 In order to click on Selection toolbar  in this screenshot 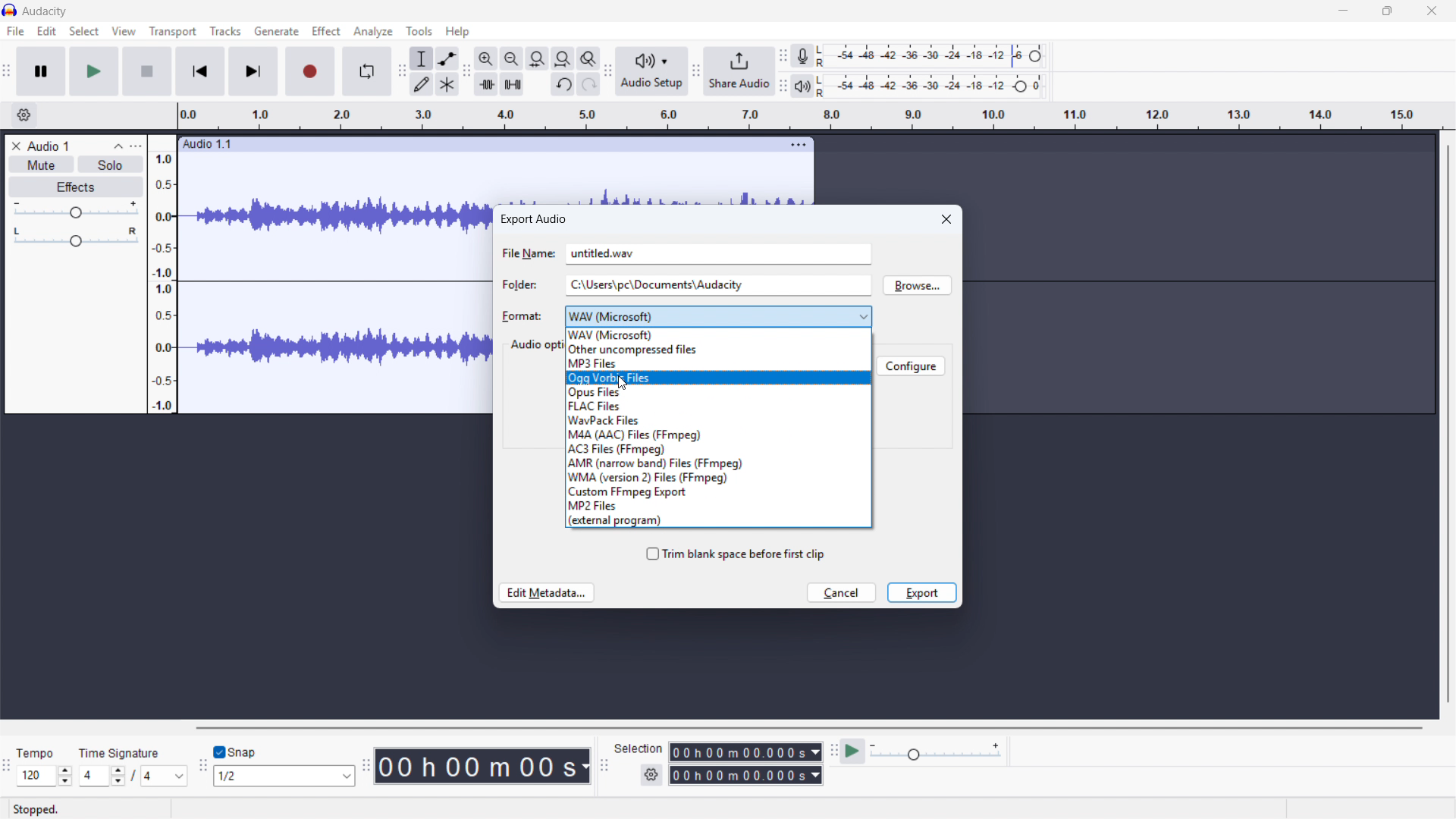, I will do `click(604, 764)`.